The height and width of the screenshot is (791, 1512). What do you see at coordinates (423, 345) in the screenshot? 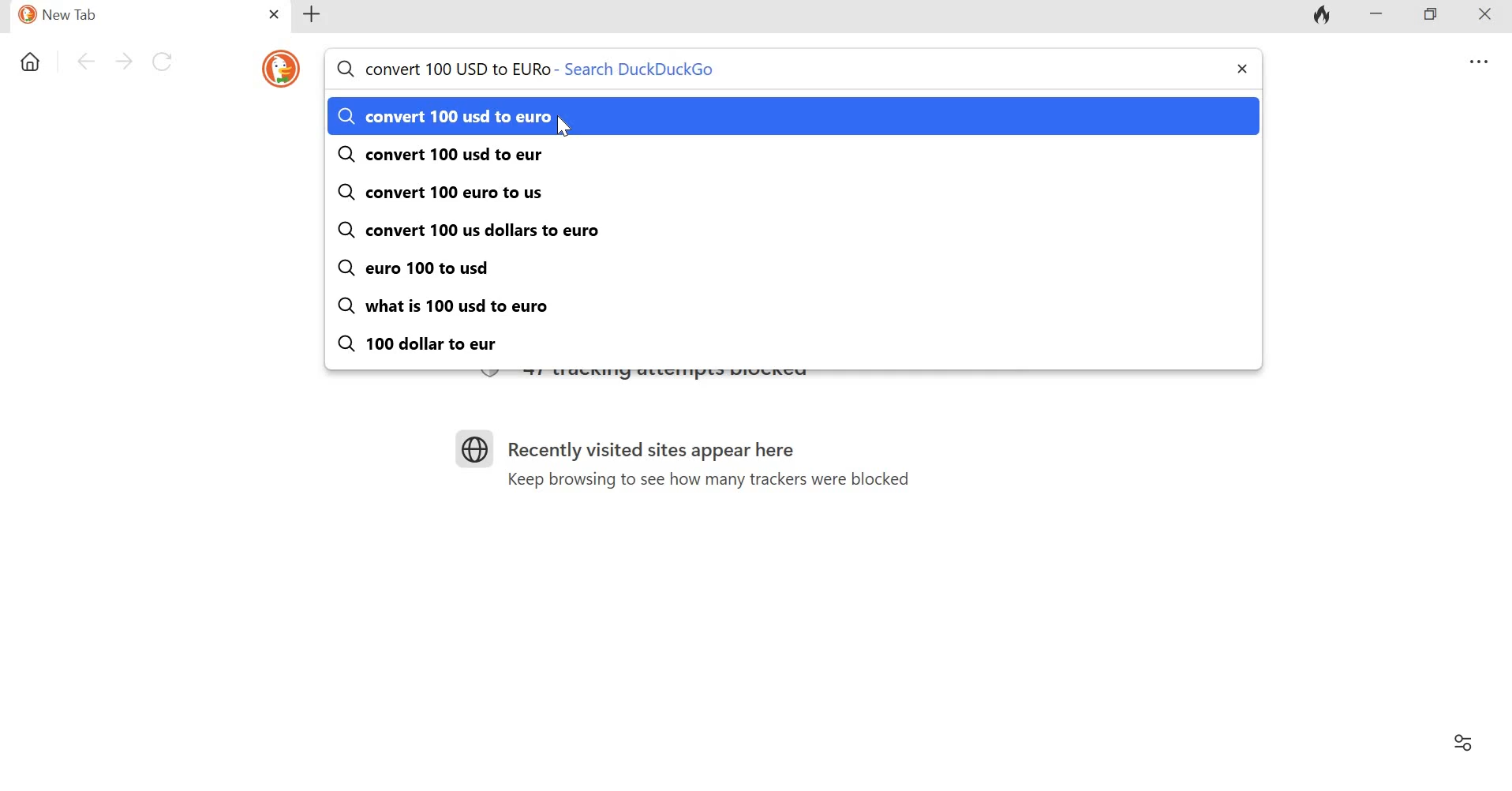
I see `100 dollar to eur` at bounding box center [423, 345].